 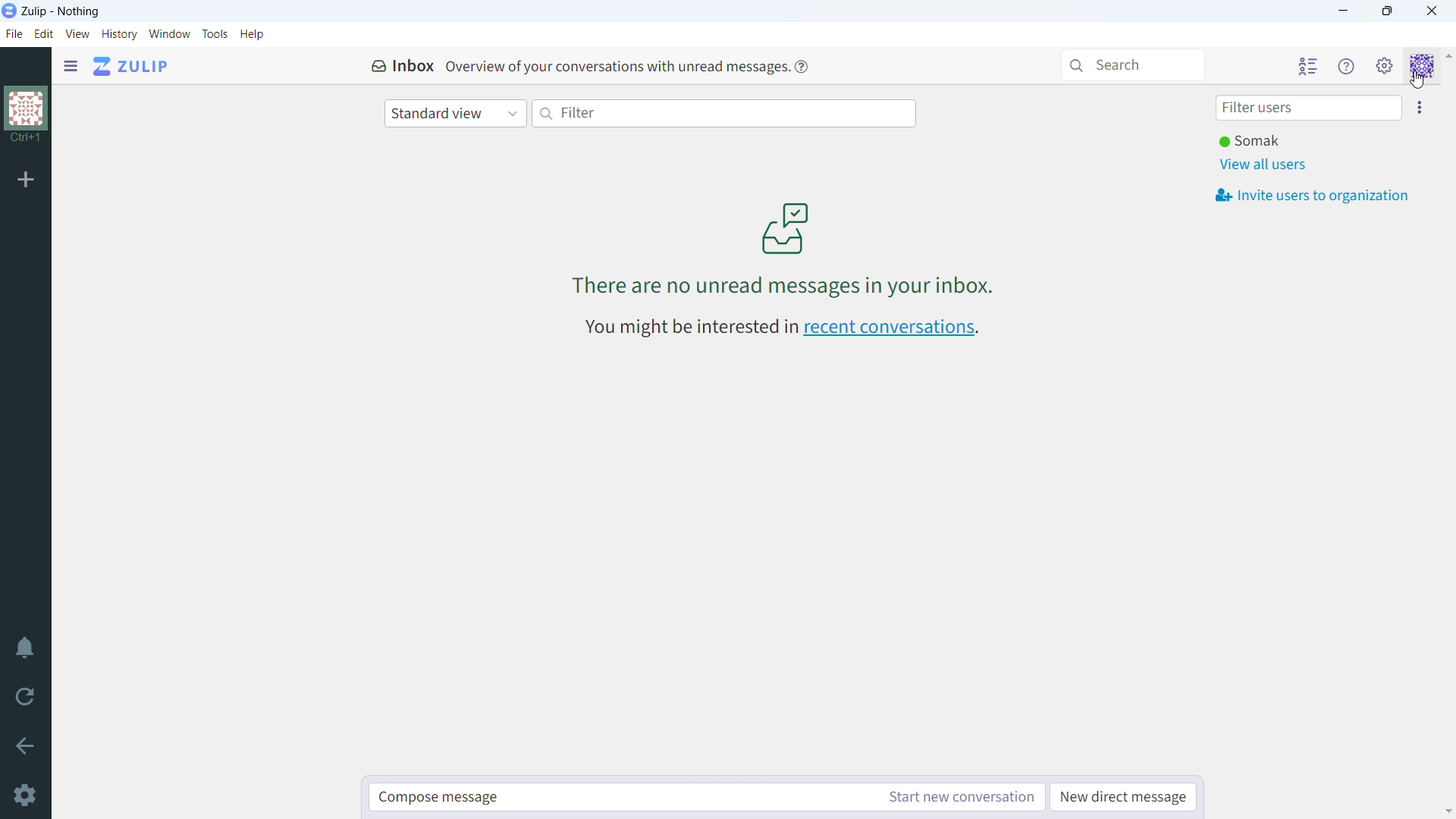 What do you see at coordinates (25, 647) in the screenshot?
I see `enable do not disturb` at bounding box center [25, 647].